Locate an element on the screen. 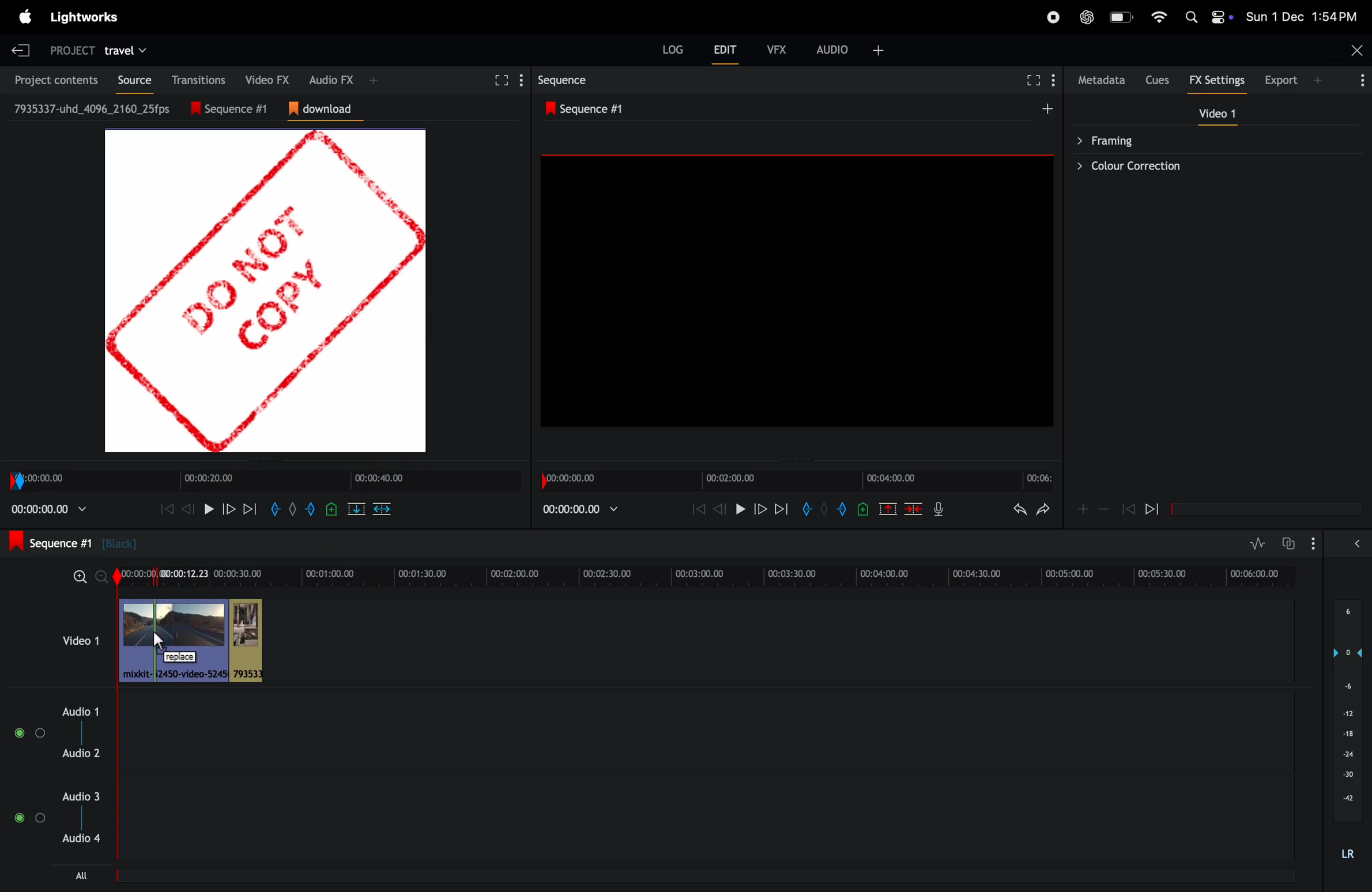 Image resolution: width=1372 pixels, height=892 pixels. add out is located at coordinates (843, 509).